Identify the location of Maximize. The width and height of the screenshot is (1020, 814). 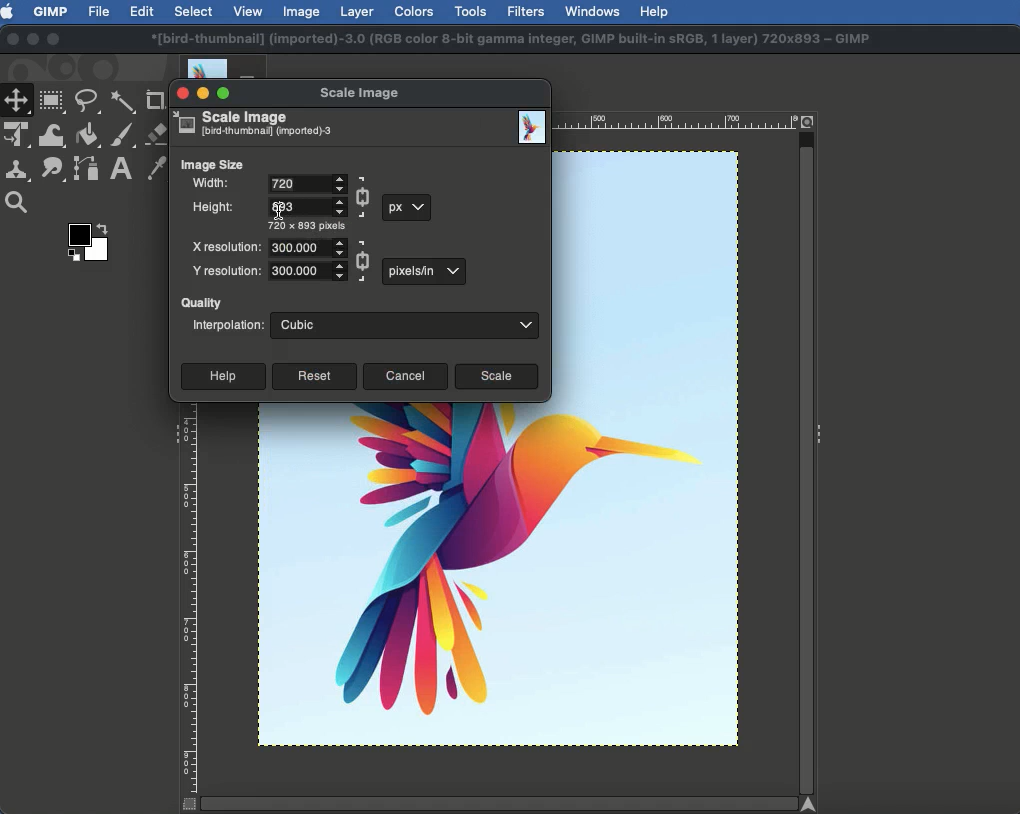
(224, 95).